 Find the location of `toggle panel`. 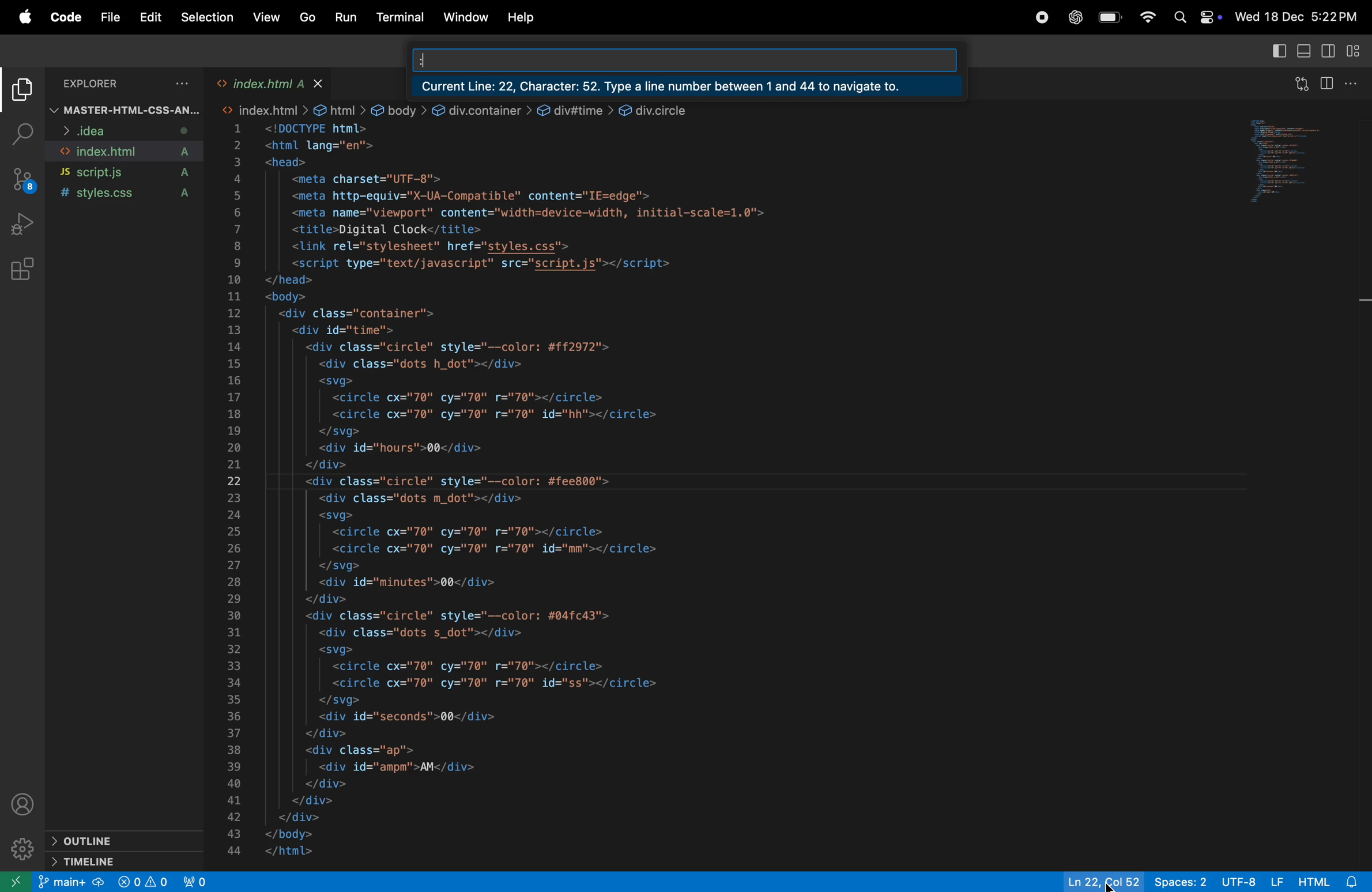

toggle panel is located at coordinates (1303, 51).